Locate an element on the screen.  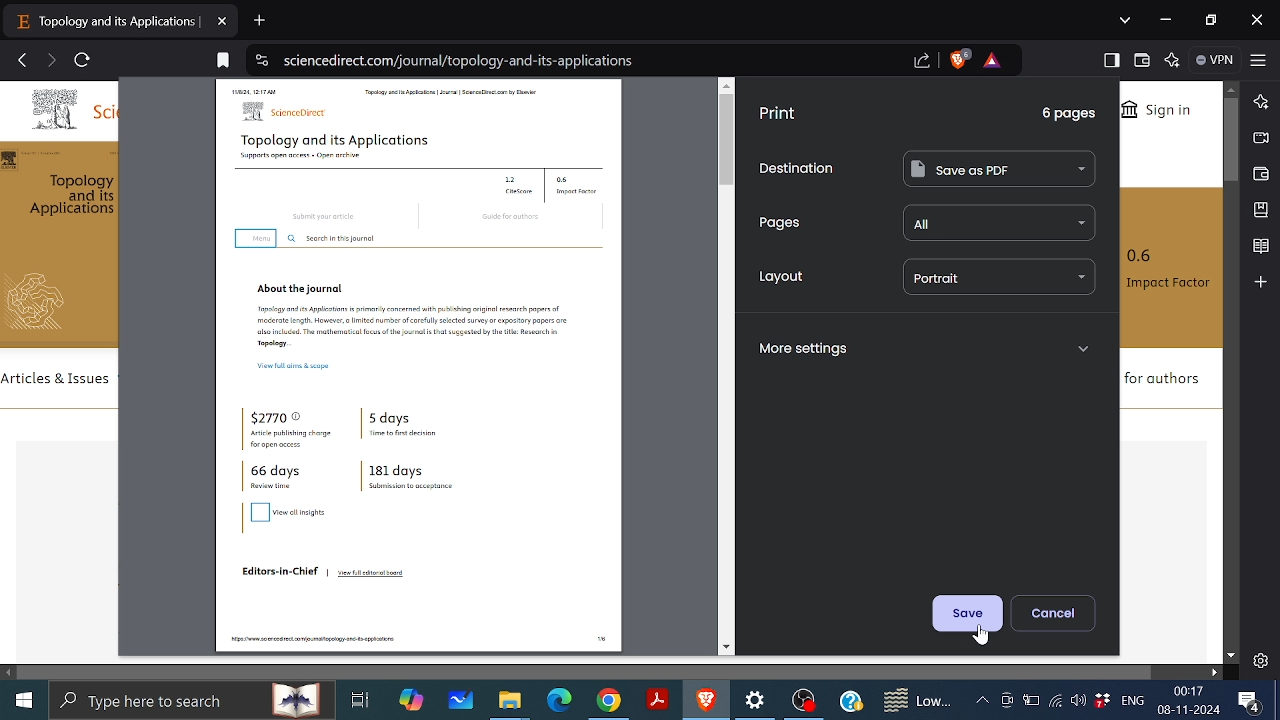
Settings is located at coordinates (1260, 661).